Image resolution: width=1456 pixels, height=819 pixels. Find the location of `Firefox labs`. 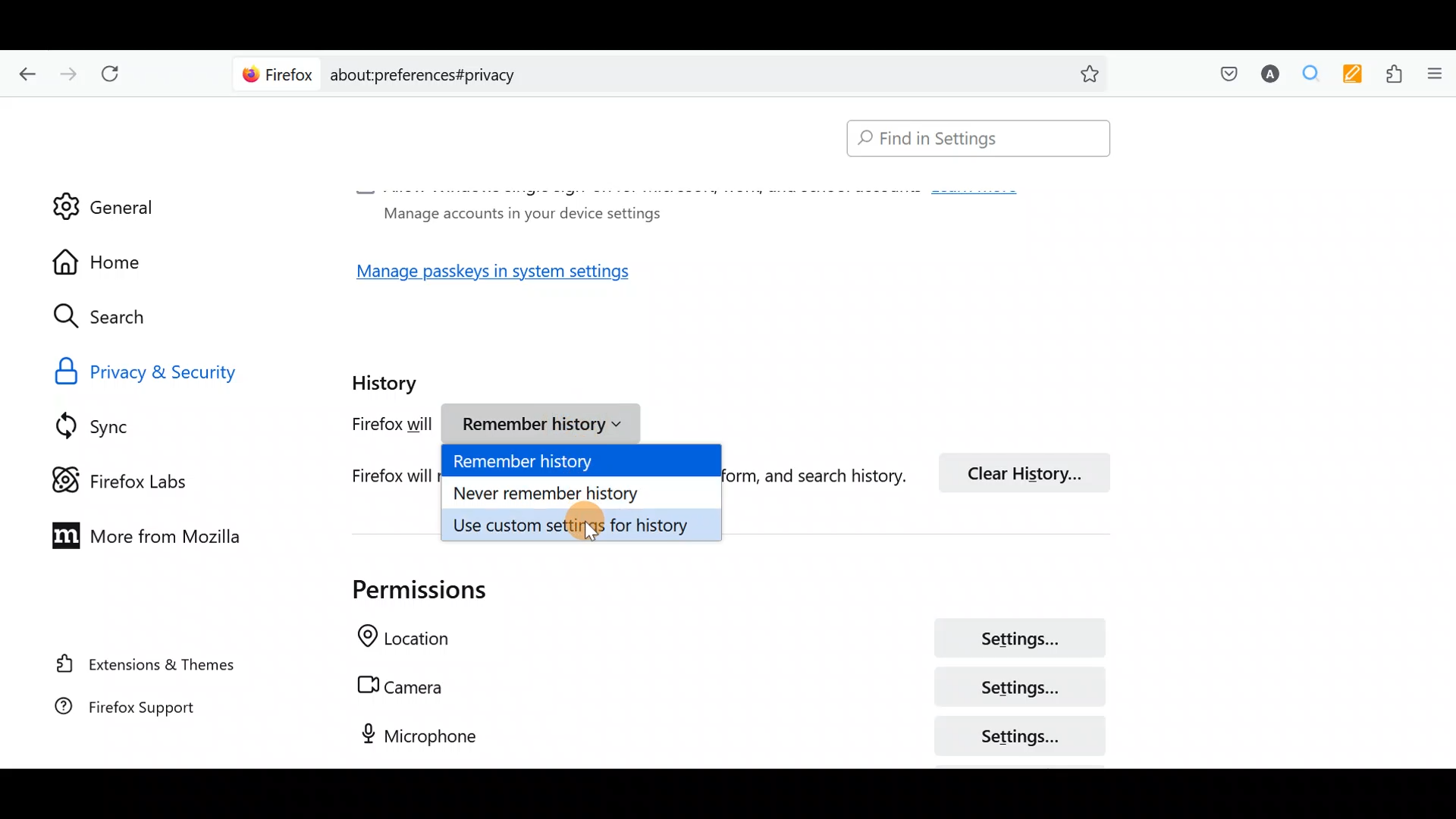

Firefox labs is located at coordinates (133, 479).